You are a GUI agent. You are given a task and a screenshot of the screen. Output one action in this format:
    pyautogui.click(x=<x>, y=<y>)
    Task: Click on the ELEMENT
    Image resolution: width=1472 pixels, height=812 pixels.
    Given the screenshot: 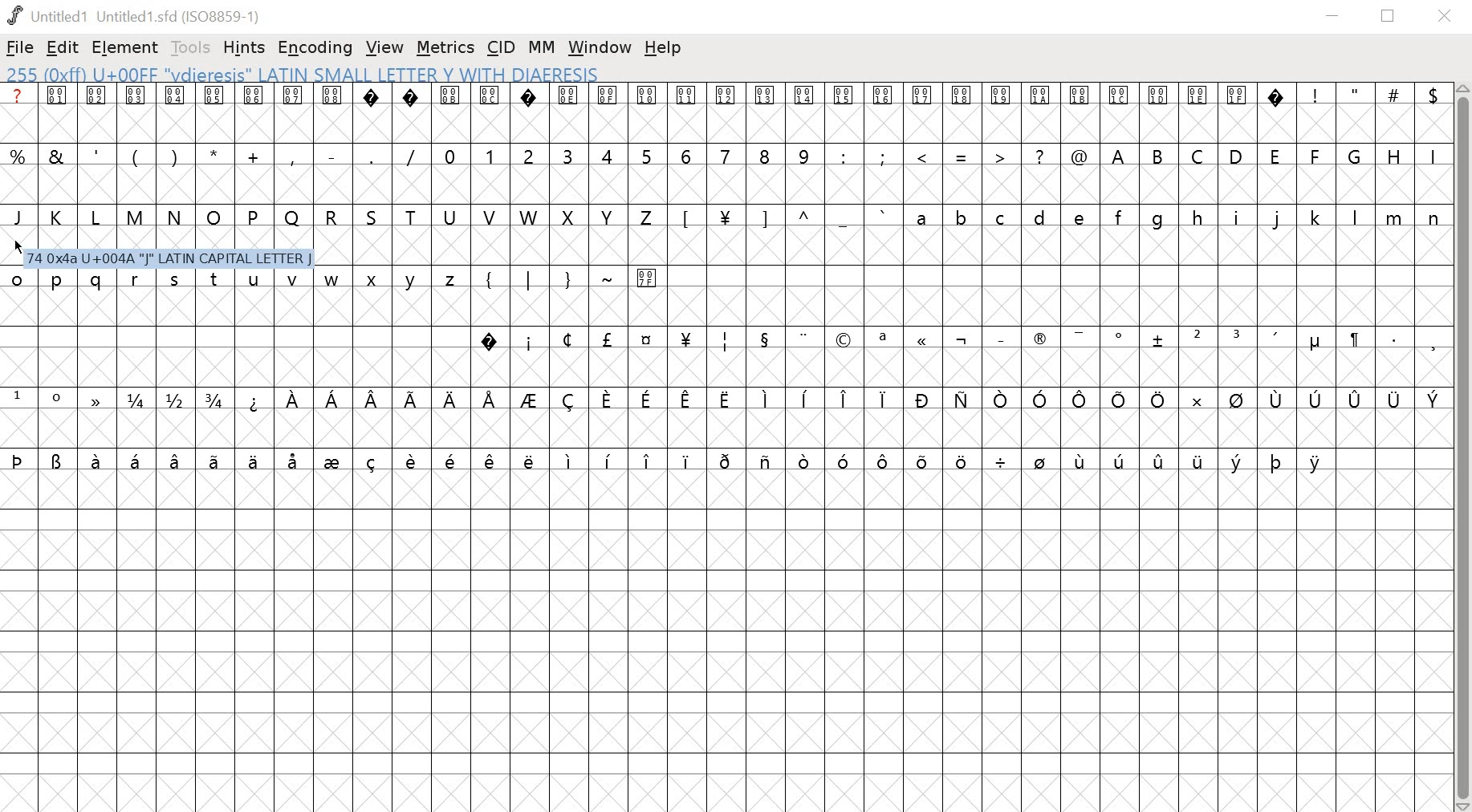 What is the action you would take?
    pyautogui.click(x=127, y=48)
    